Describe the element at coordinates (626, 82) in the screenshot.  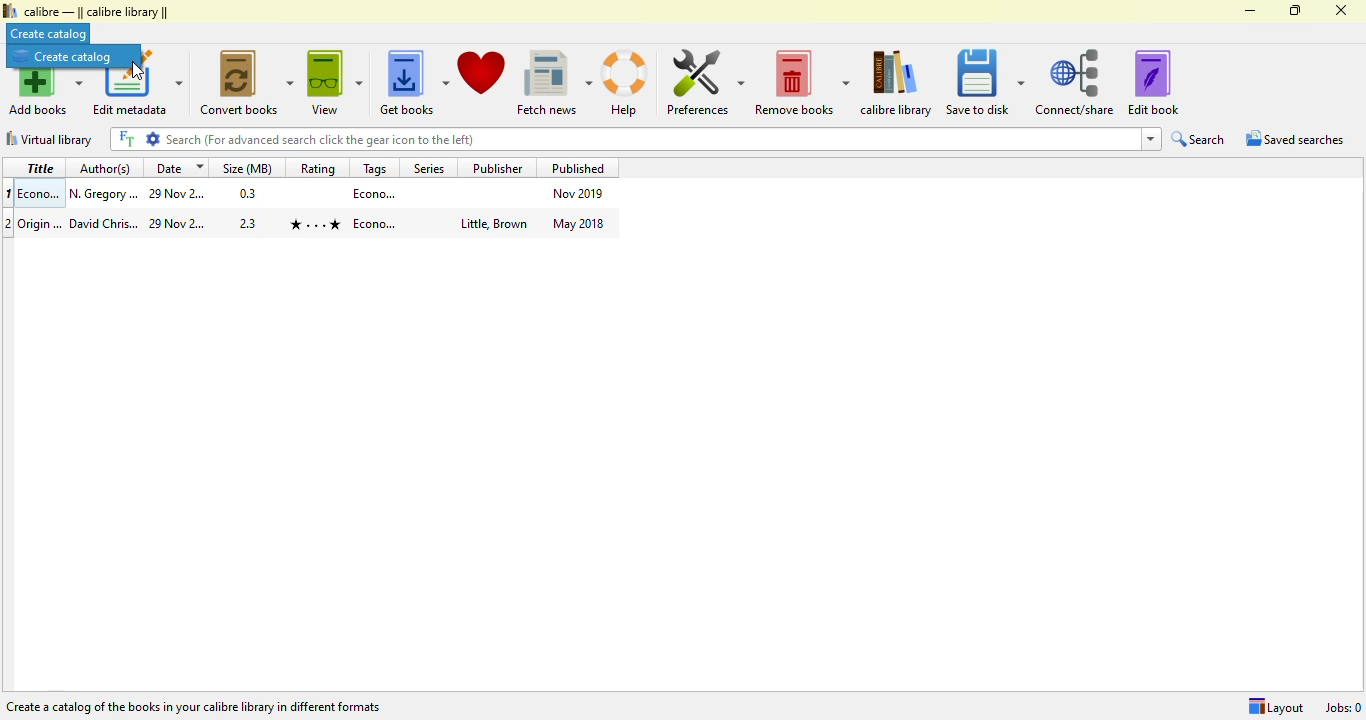
I see `help` at that location.